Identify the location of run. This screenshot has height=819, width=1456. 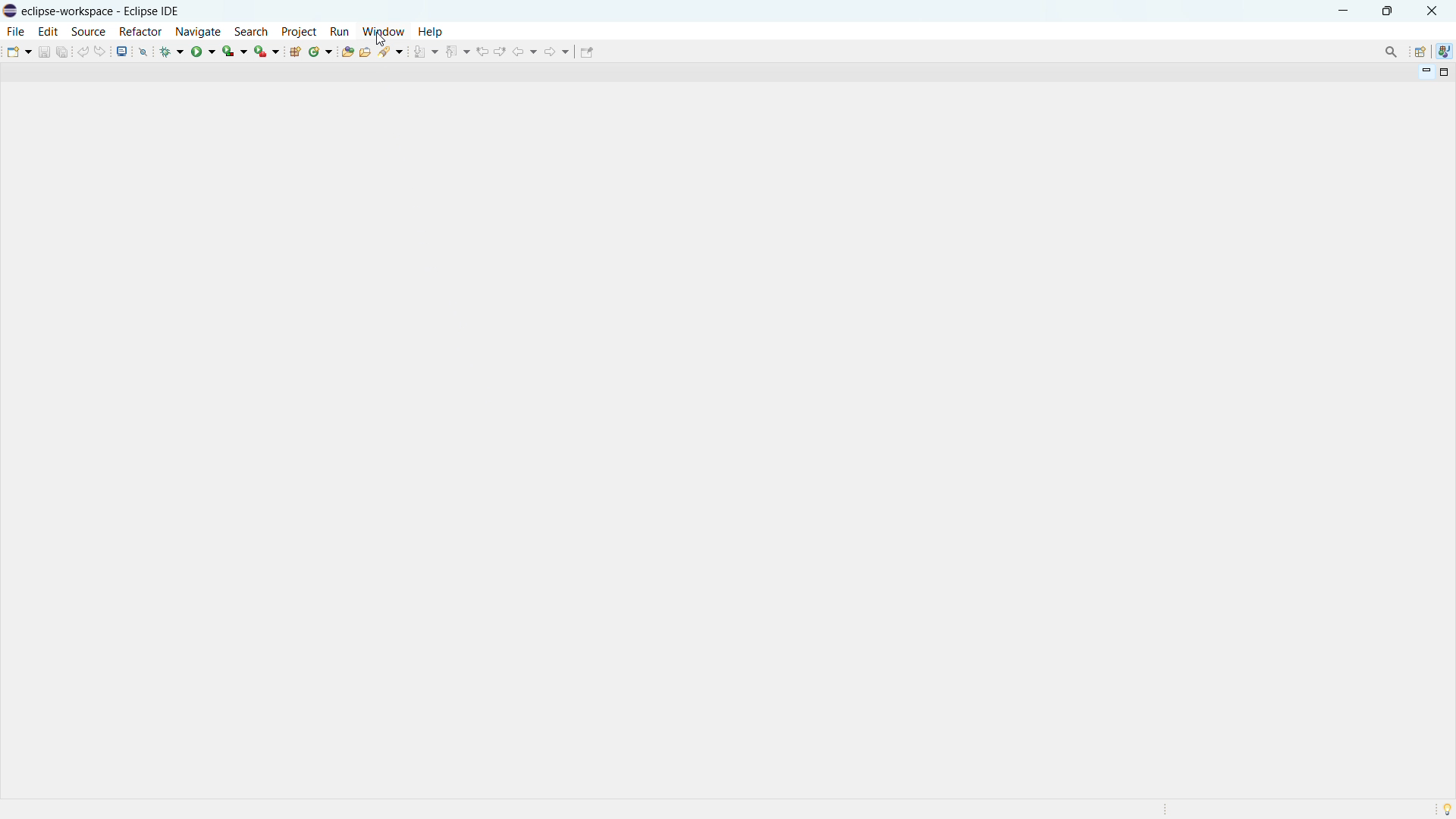
(340, 31).